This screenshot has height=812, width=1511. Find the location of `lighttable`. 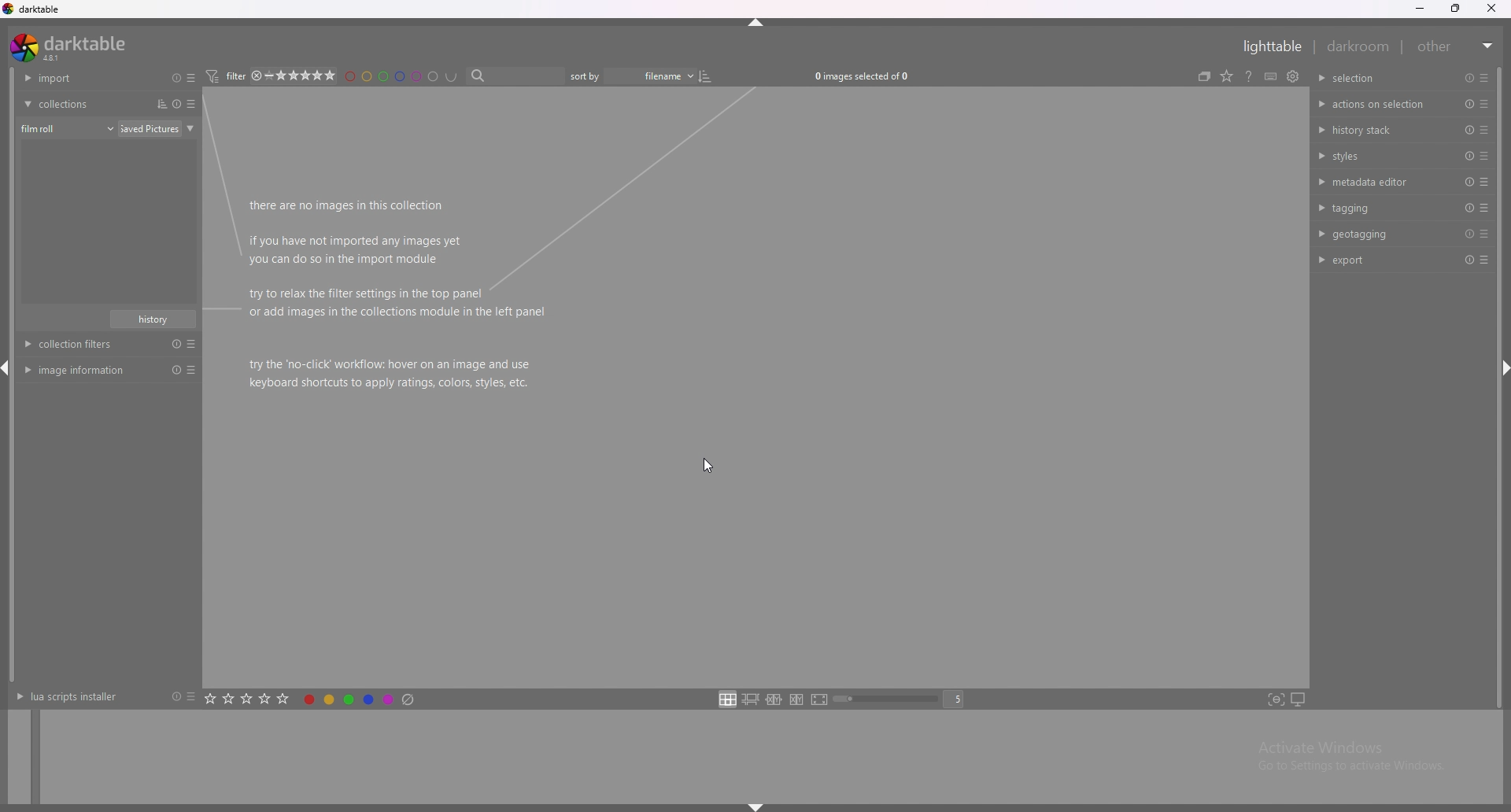

lighttable is located at coordinates (1268, 46).